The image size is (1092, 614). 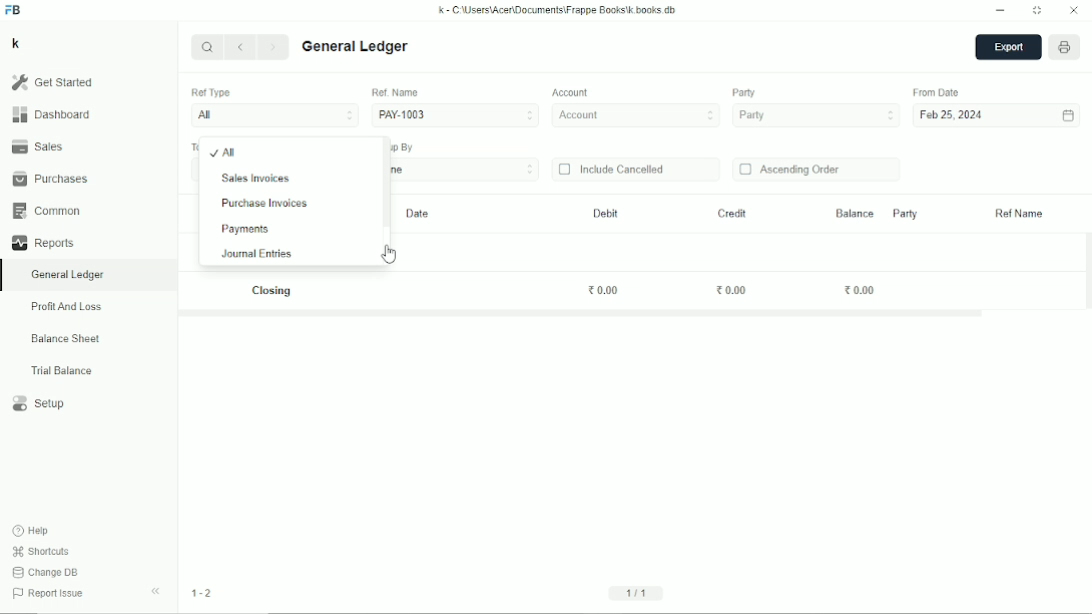 I want to click on Ref Type, so click(x=210, y=93).